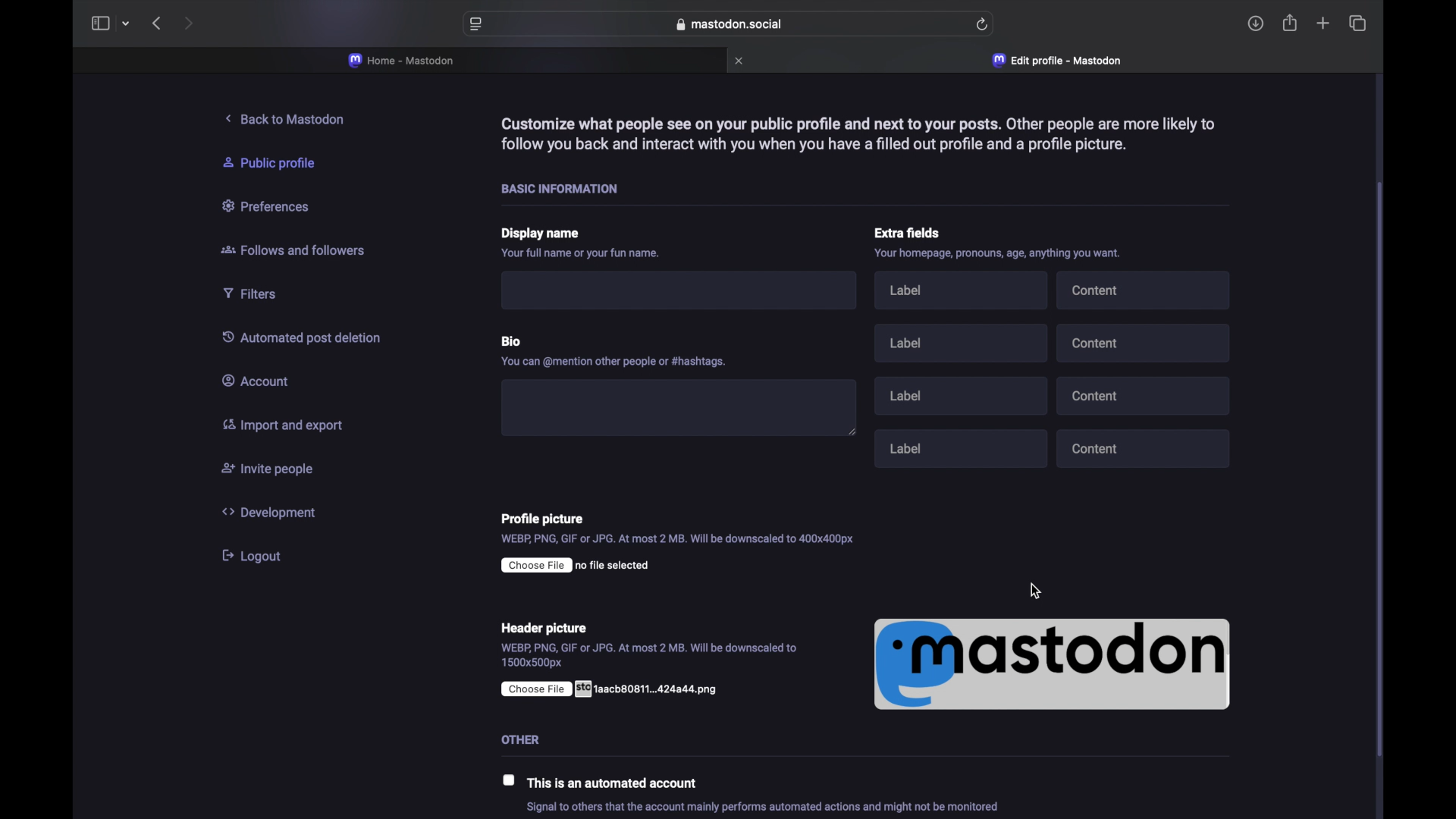 Image resolution: width=1456 pixels, height=819 pixels. Describe the element at coordinates (965, 293) in the screenshot. I see `label` at that location.